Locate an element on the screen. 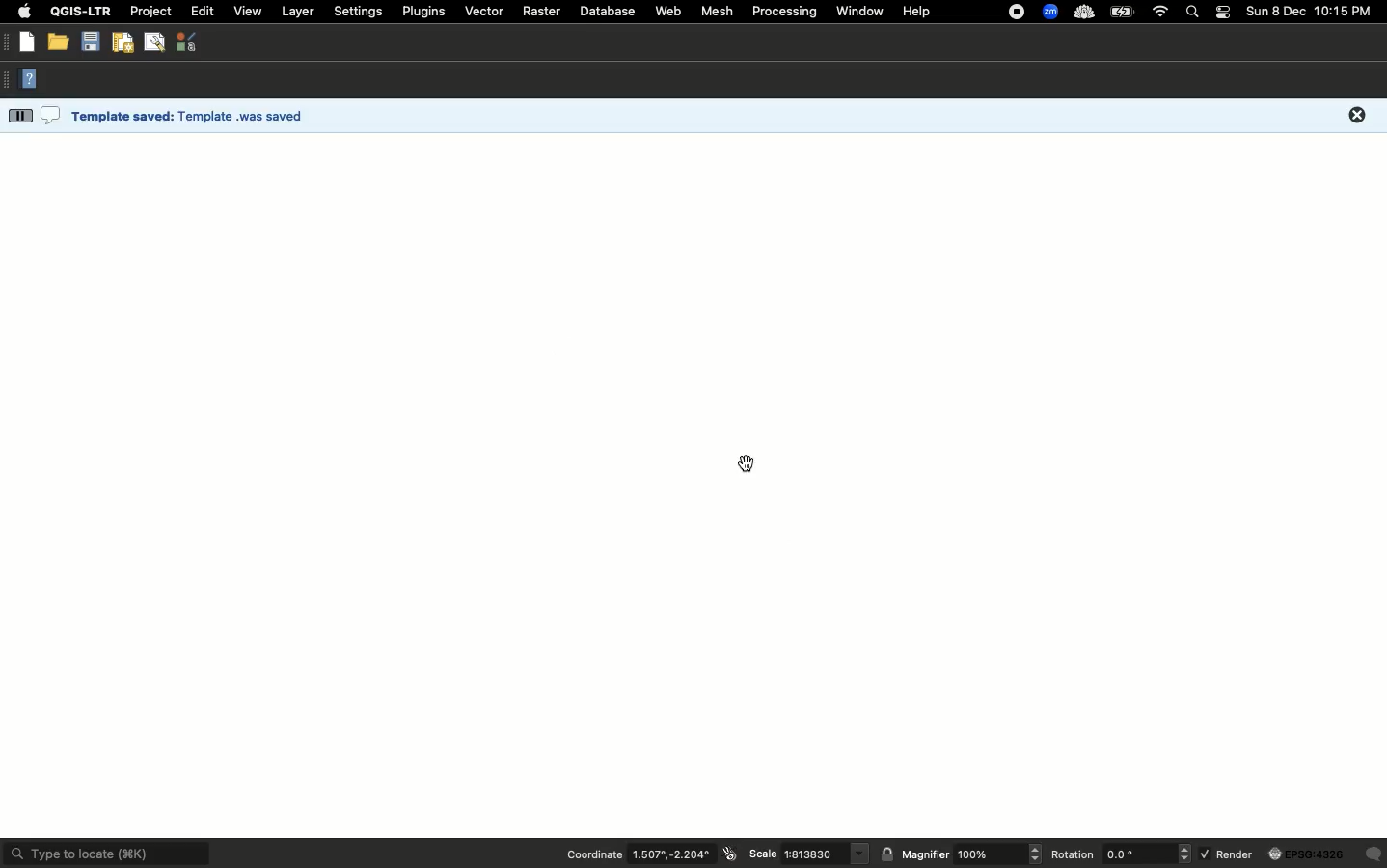  lock is located at coordinates (889, 854).